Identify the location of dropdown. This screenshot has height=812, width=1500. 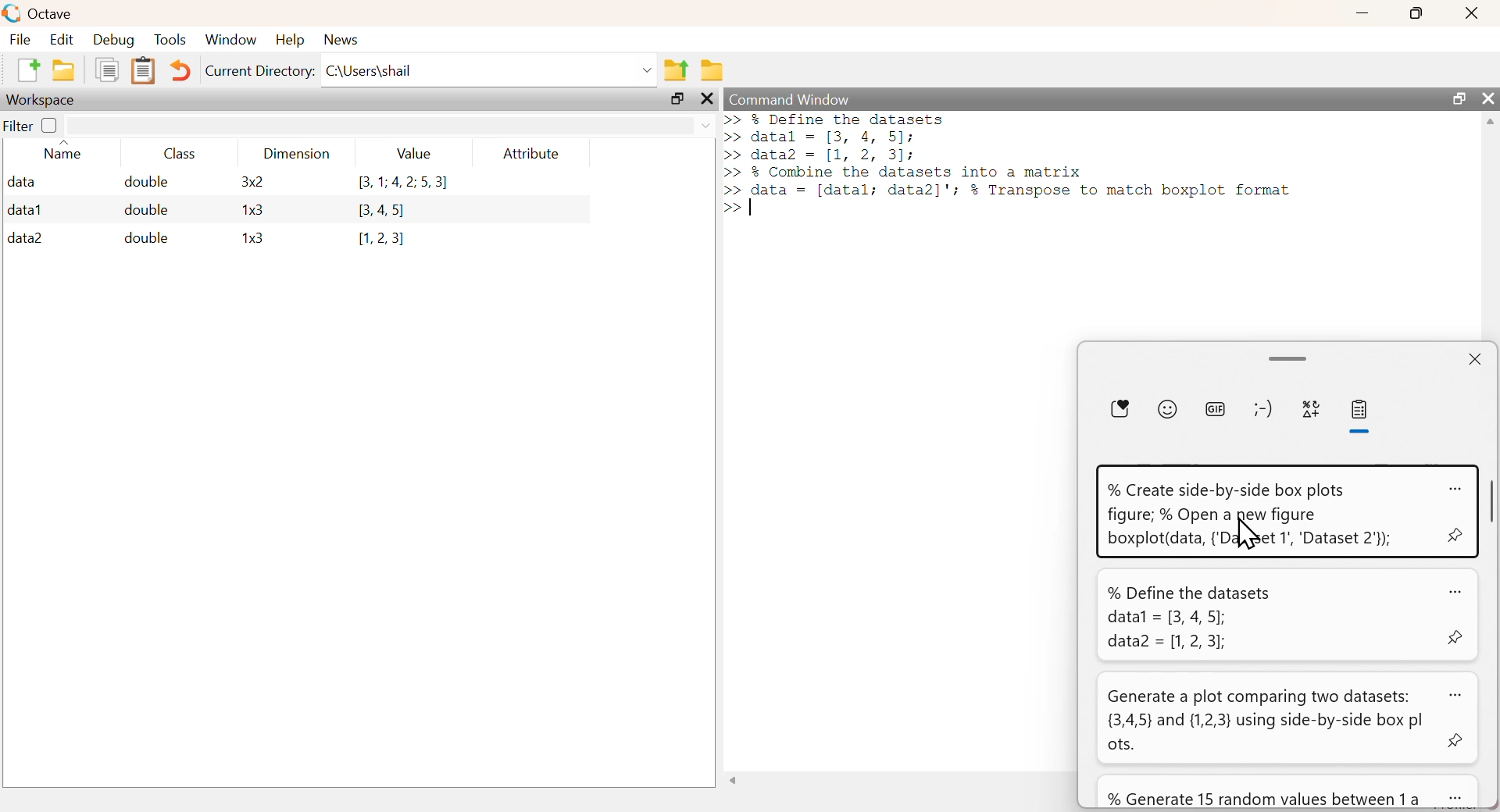
(645, 69).